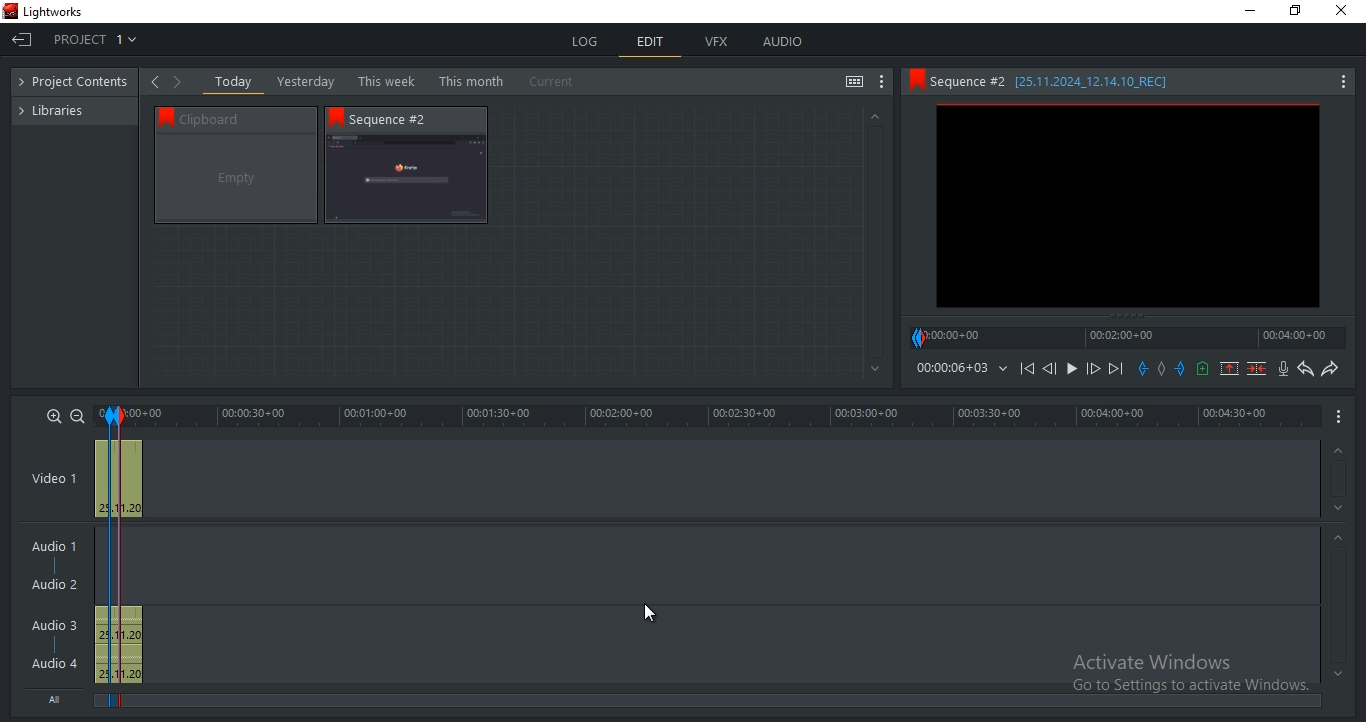  Describe the element at coordinates (1143, 368) in the screenshot. I see `mark in` at that location.